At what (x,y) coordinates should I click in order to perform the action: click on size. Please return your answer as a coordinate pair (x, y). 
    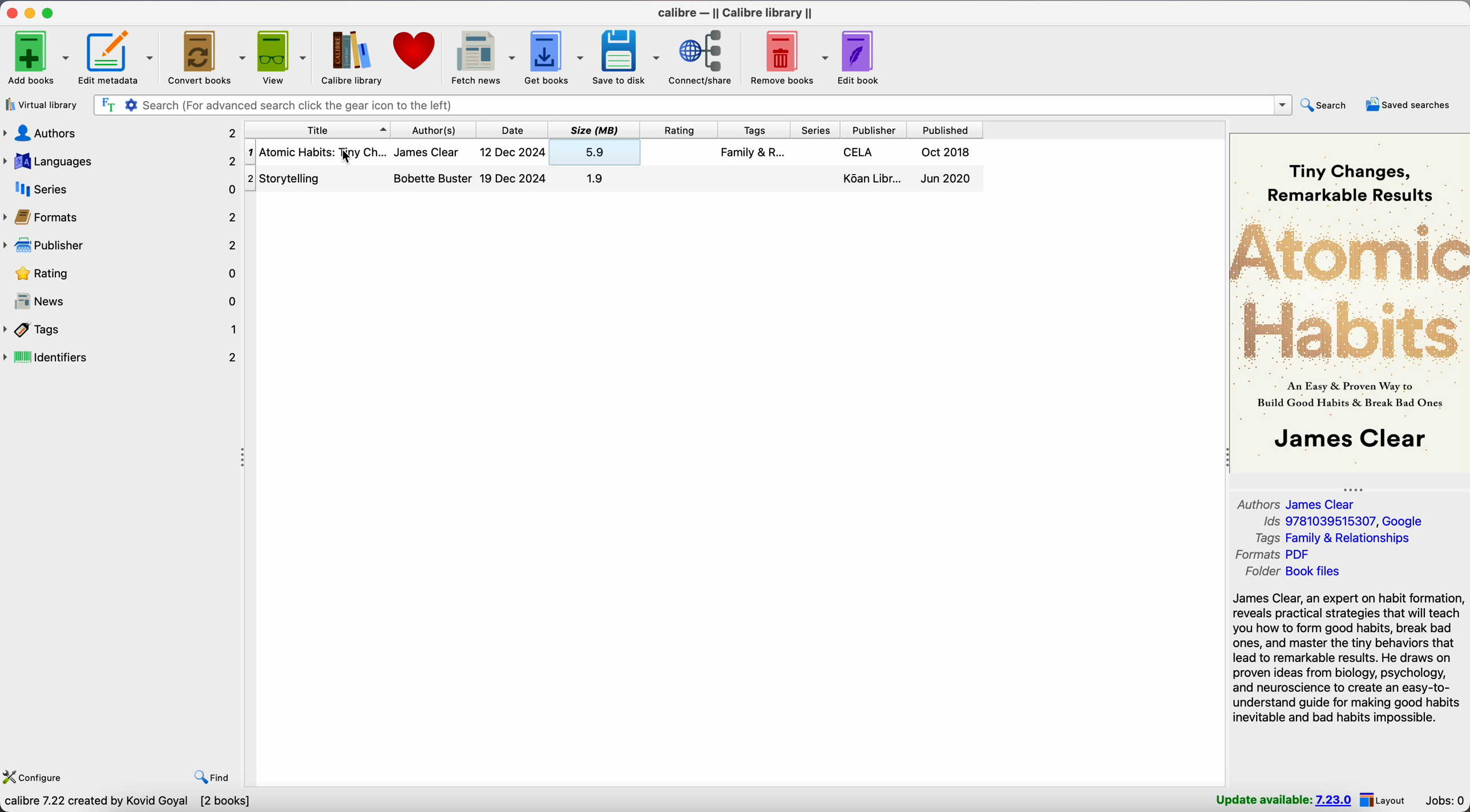
    Looking at the image, I should click on (595, 130).